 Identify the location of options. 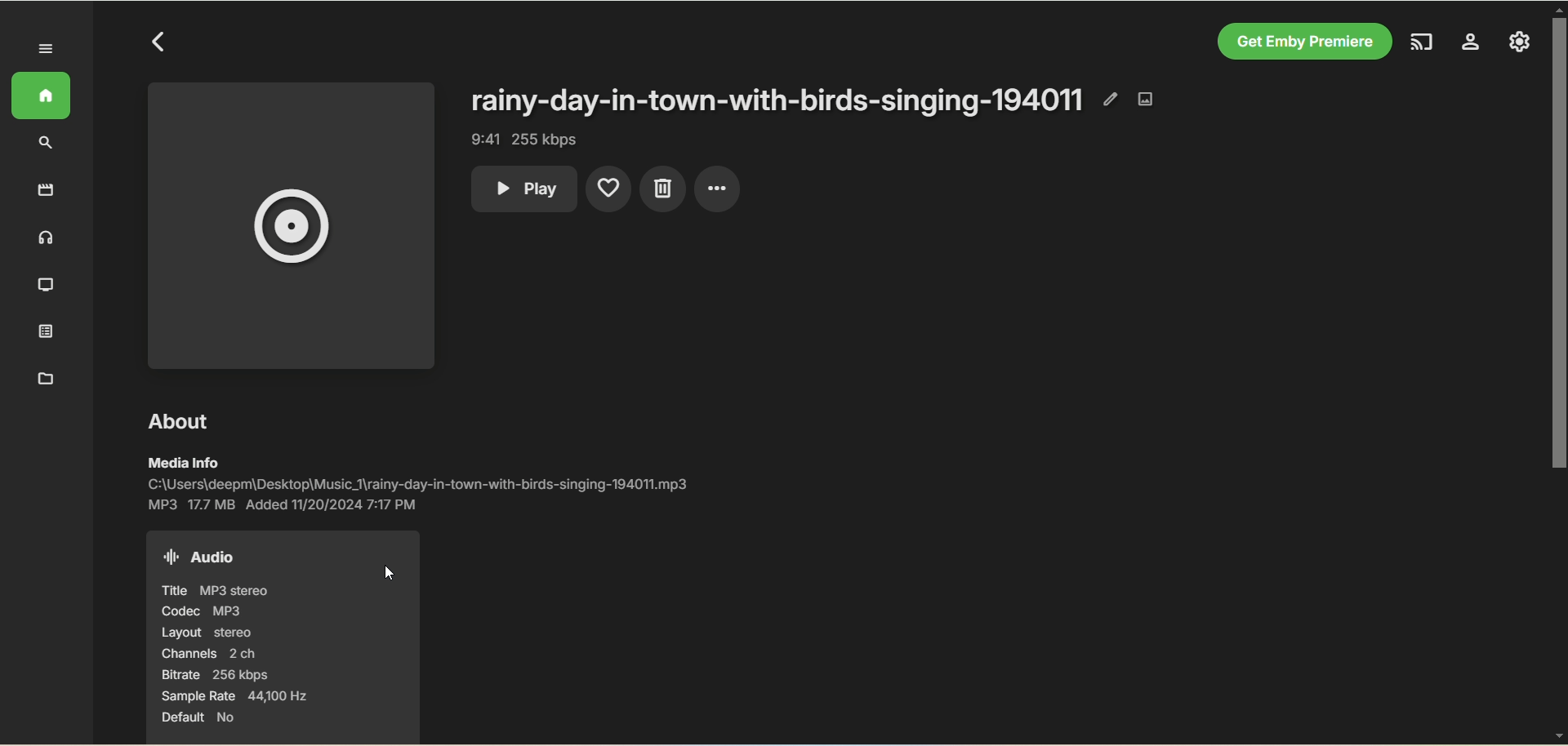
(722, 189).